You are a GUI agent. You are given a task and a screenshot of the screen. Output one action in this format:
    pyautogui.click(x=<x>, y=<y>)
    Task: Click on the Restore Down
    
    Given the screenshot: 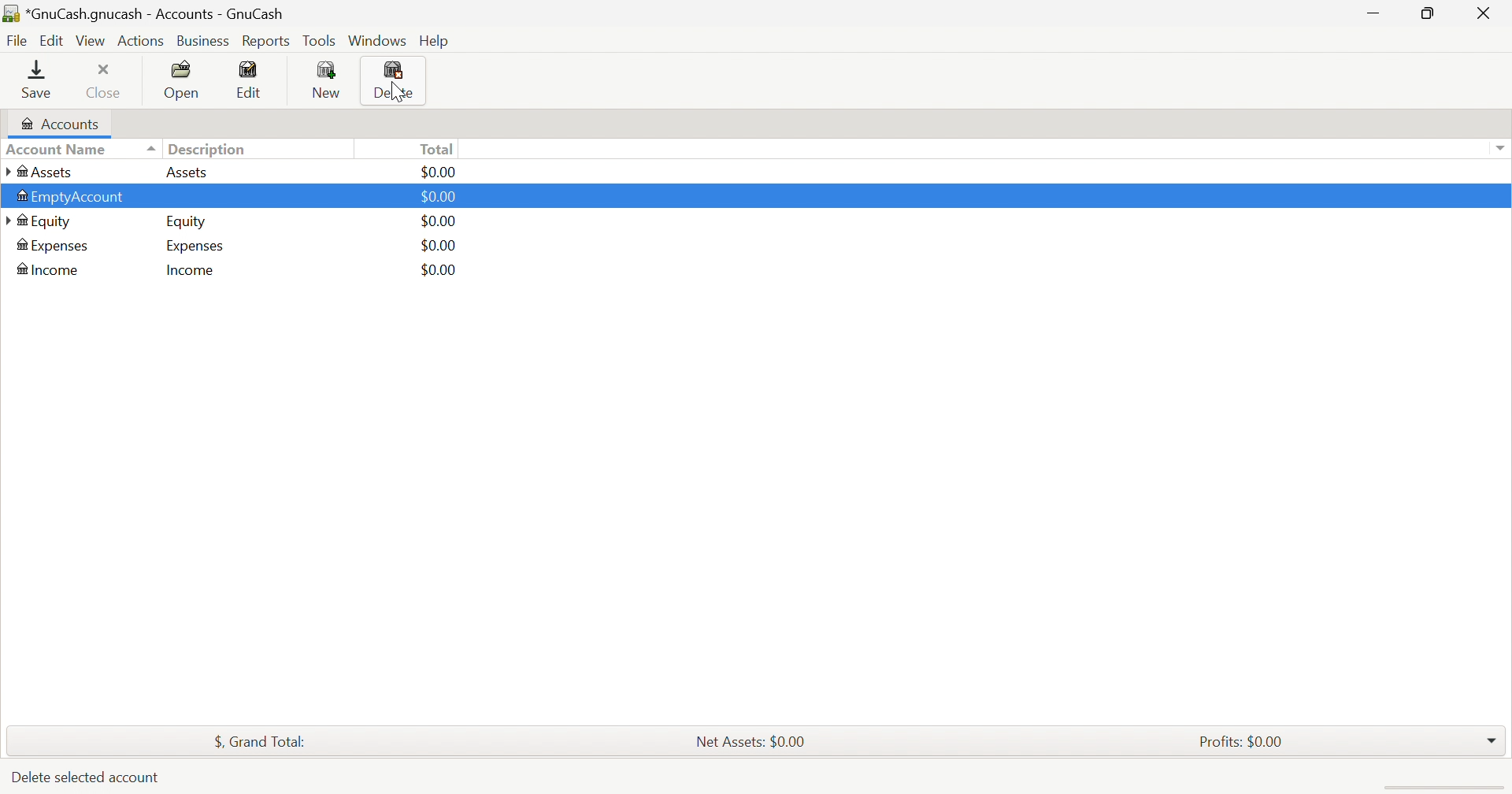 What is the action you would take?
    pyautogui.click(x=1425, y=12)
    